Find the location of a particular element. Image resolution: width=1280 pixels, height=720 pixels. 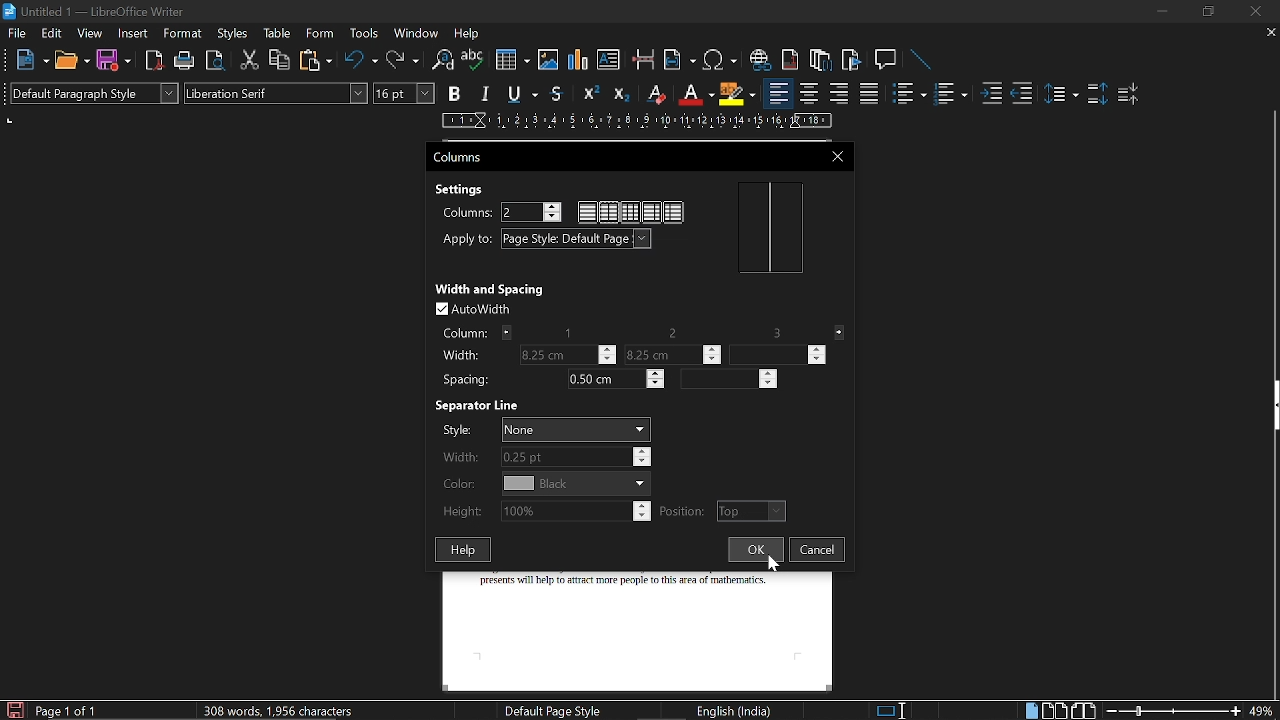

Columns is located at coordinates (466, 214).